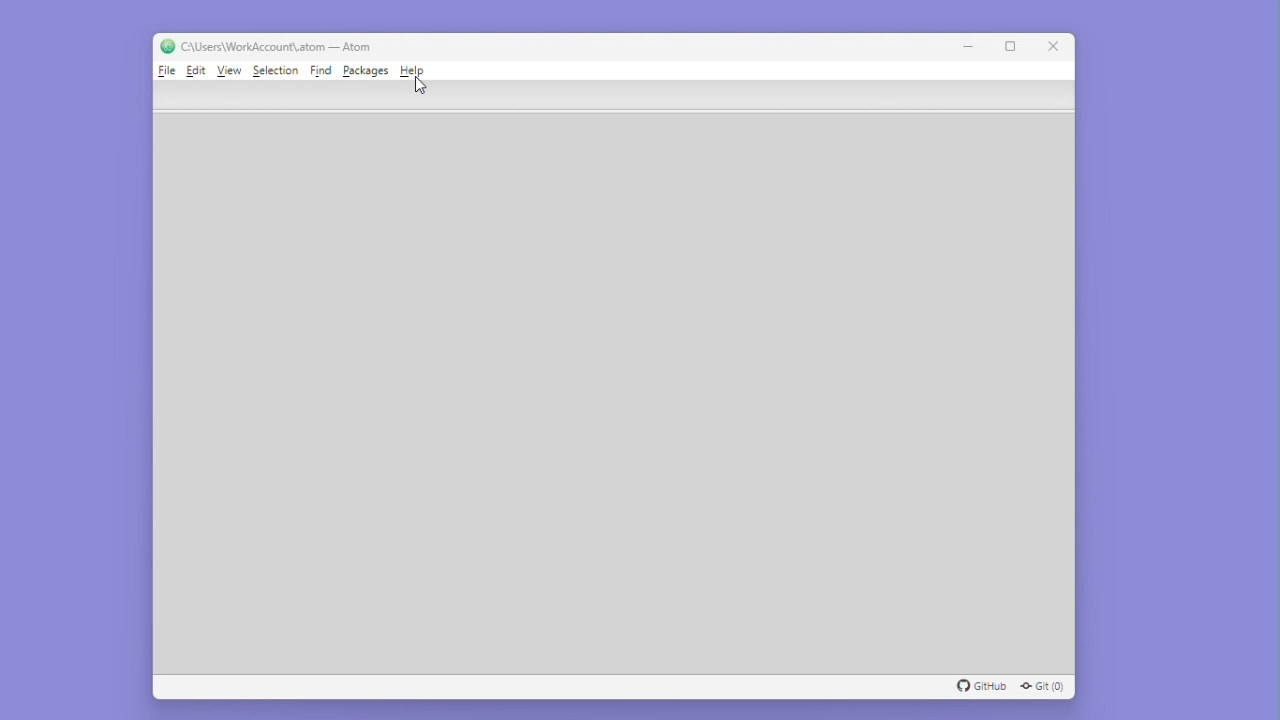  I want to click on Close, so click(1051, 48).